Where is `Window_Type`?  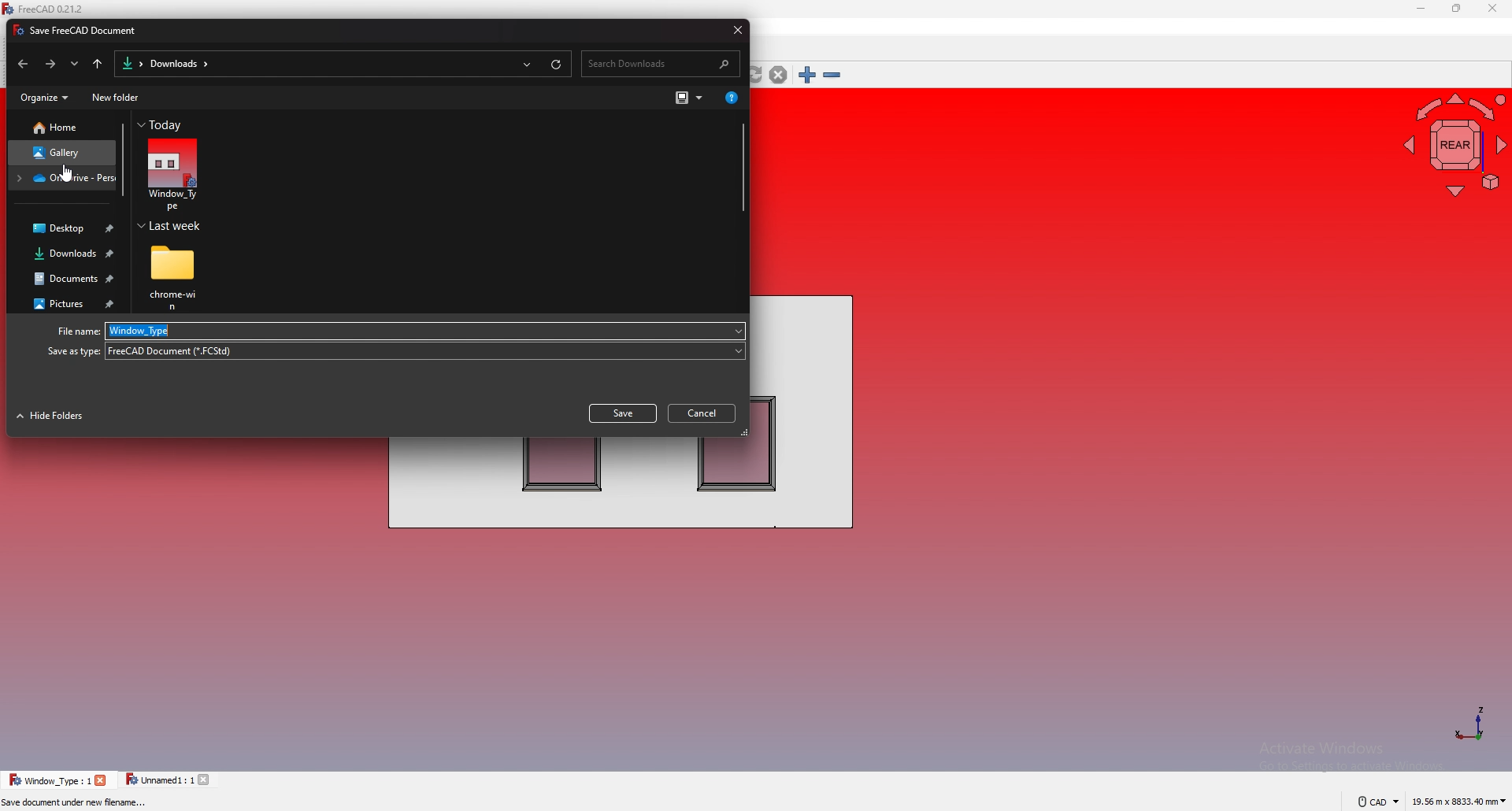
Window_Type is located at coordinates (172, 176).